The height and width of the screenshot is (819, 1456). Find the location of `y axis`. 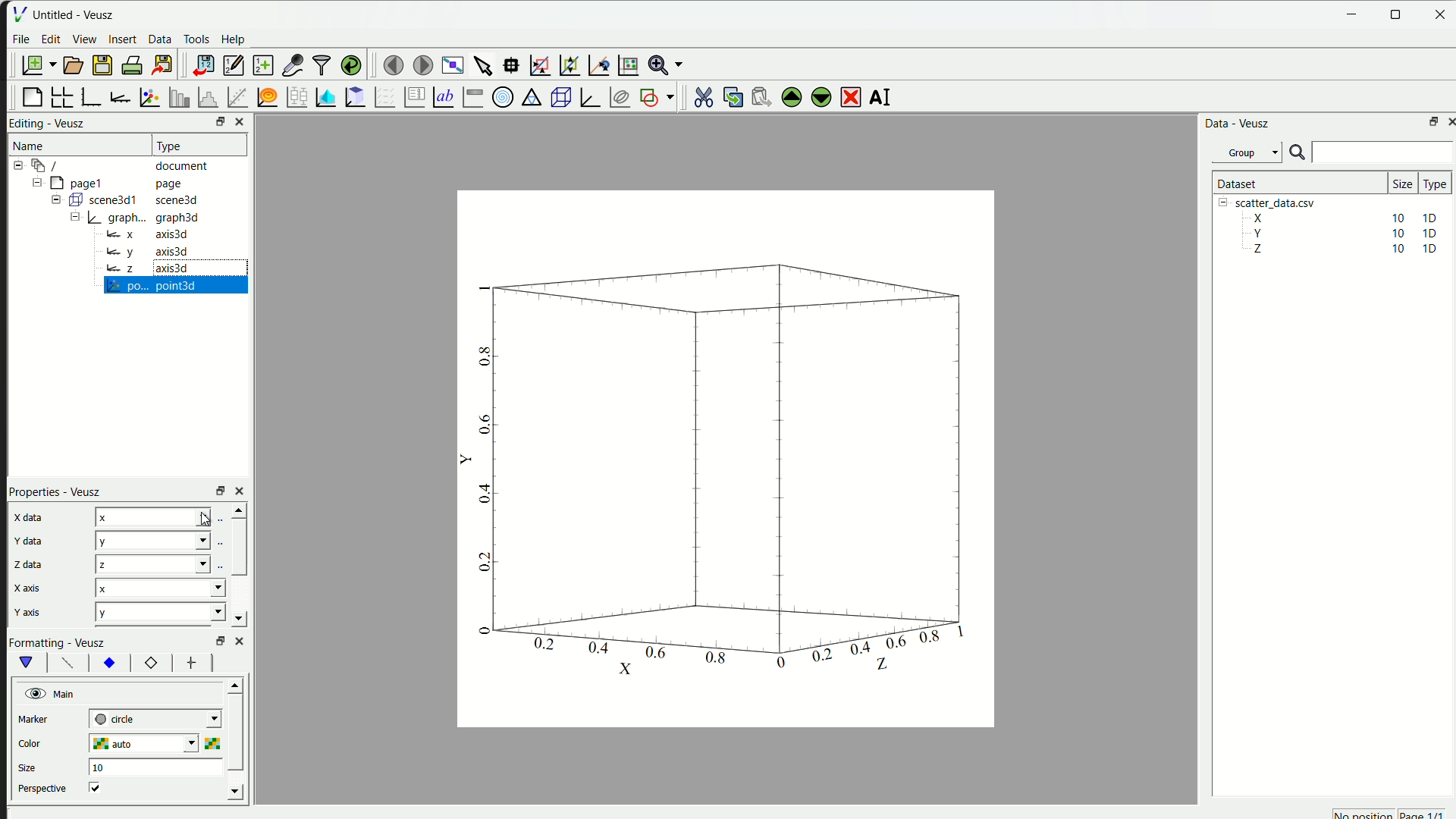

y axis is located at coordinates (27, 609).